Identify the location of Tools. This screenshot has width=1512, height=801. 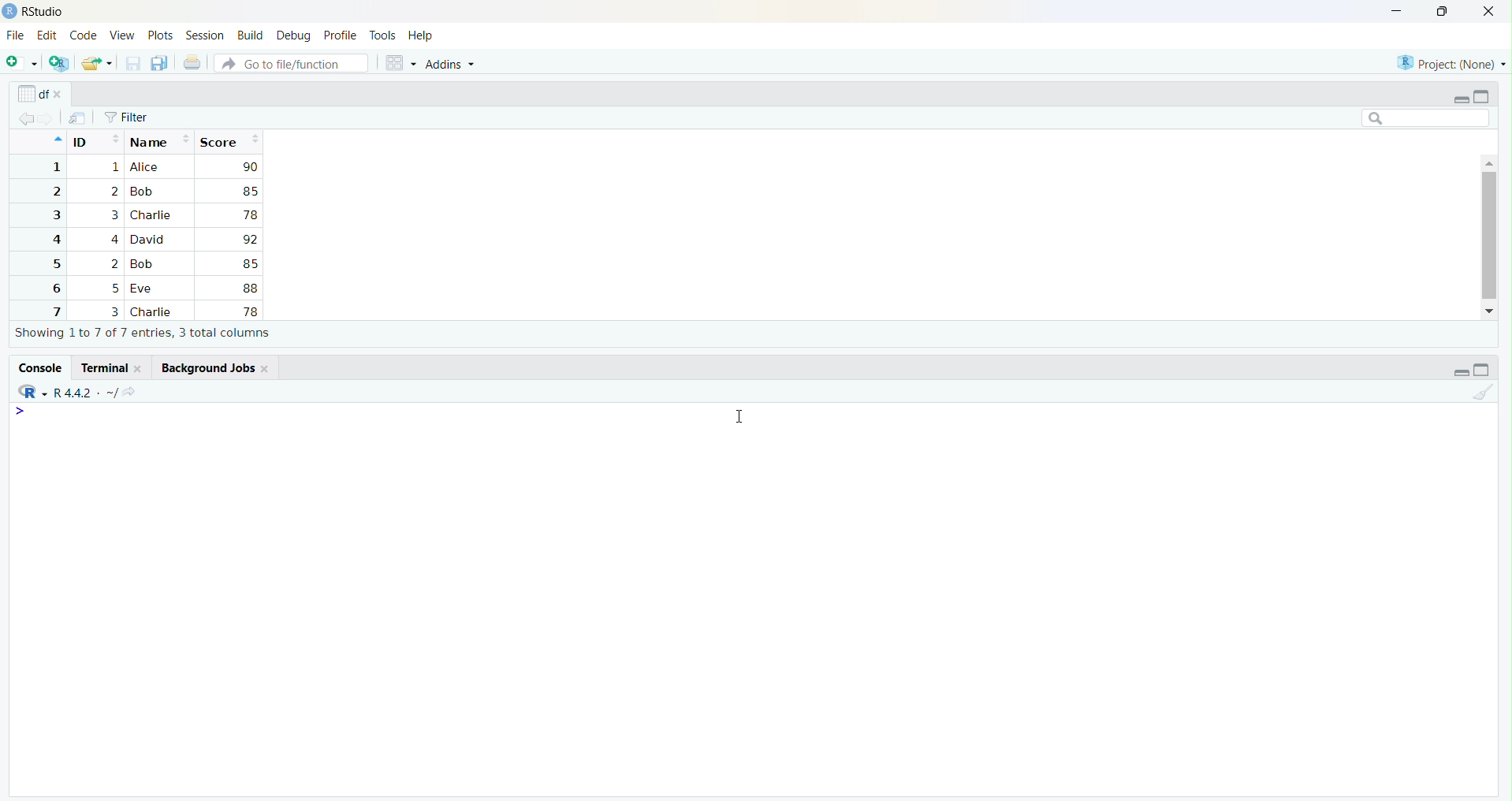
(383, 36).